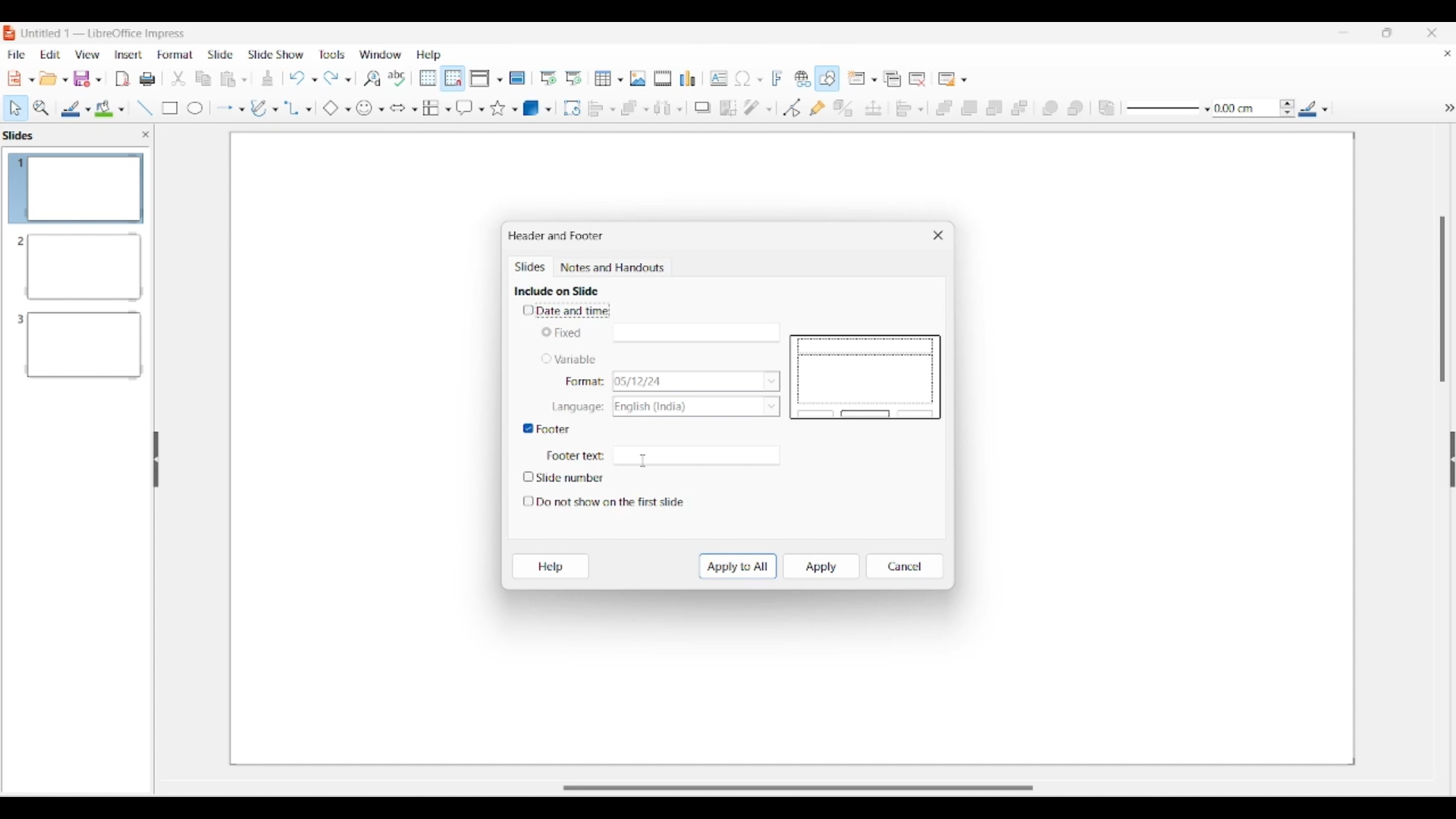  Describe the element at coordinates (303, 78) in the screenshot. I see `Undo options` at that location.